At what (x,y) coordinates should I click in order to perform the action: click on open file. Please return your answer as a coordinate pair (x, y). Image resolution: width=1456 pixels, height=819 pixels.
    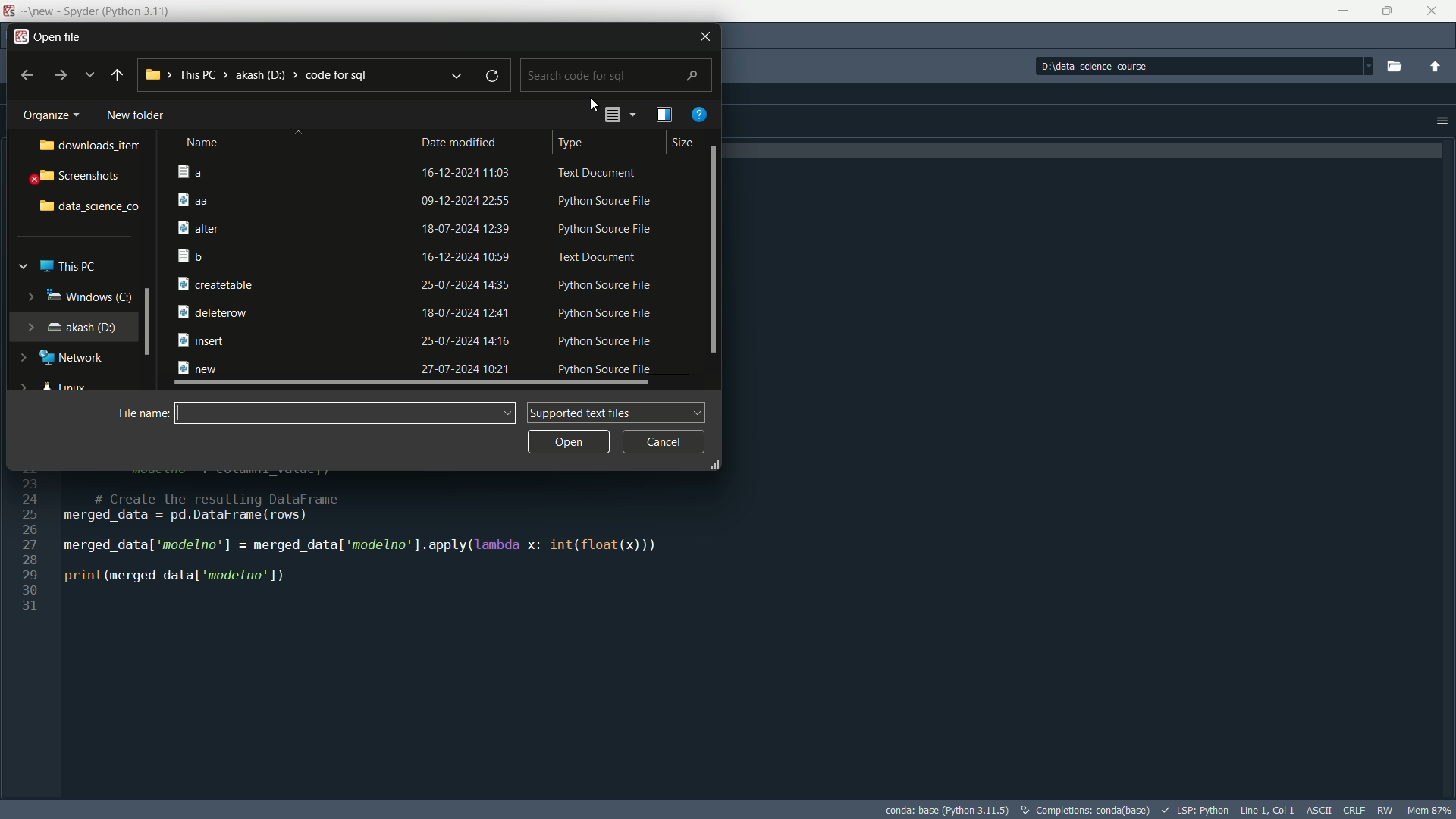
    Looking at the image, I should click on (61, 38).